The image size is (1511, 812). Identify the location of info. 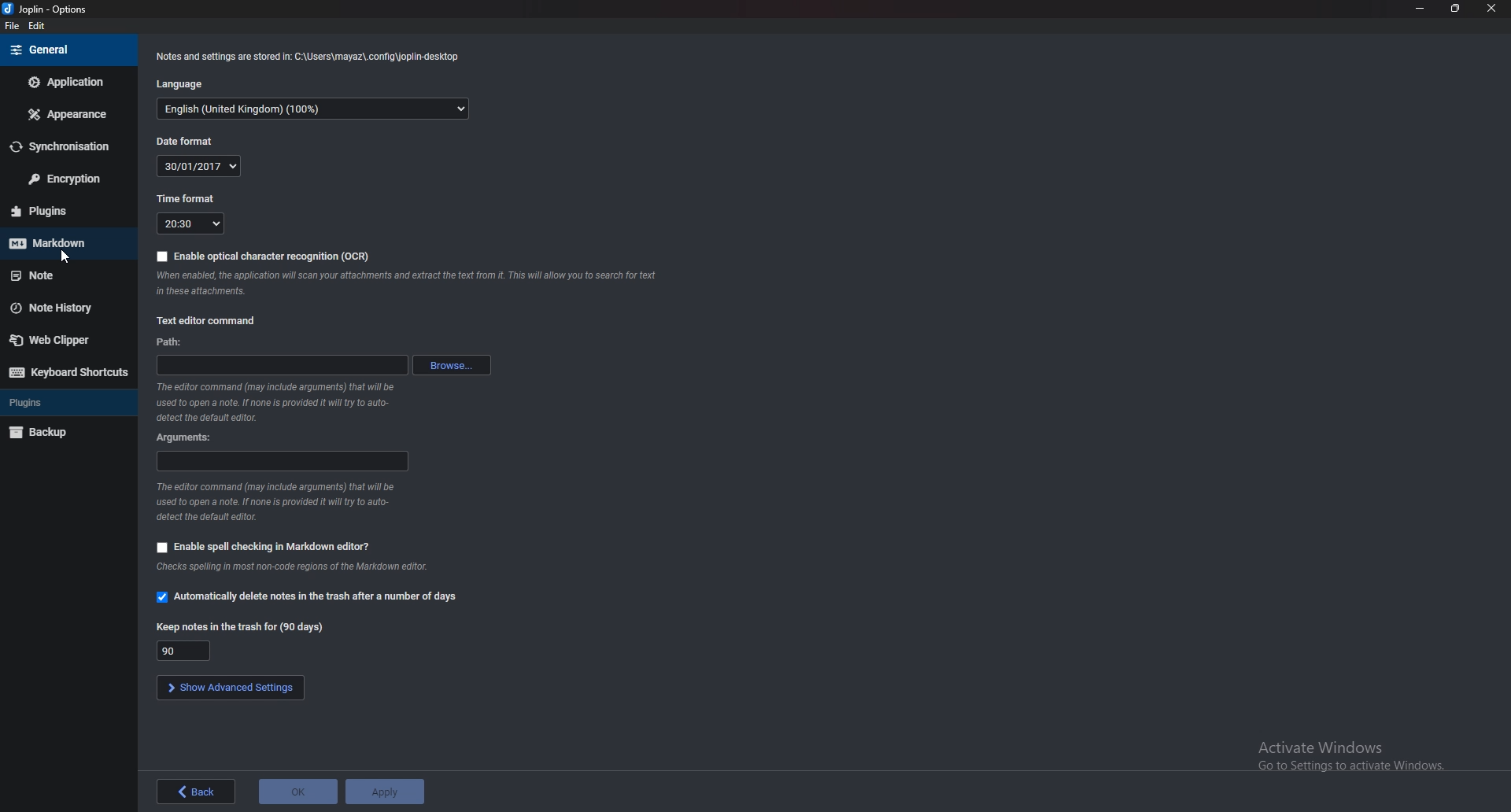
(276, 501).